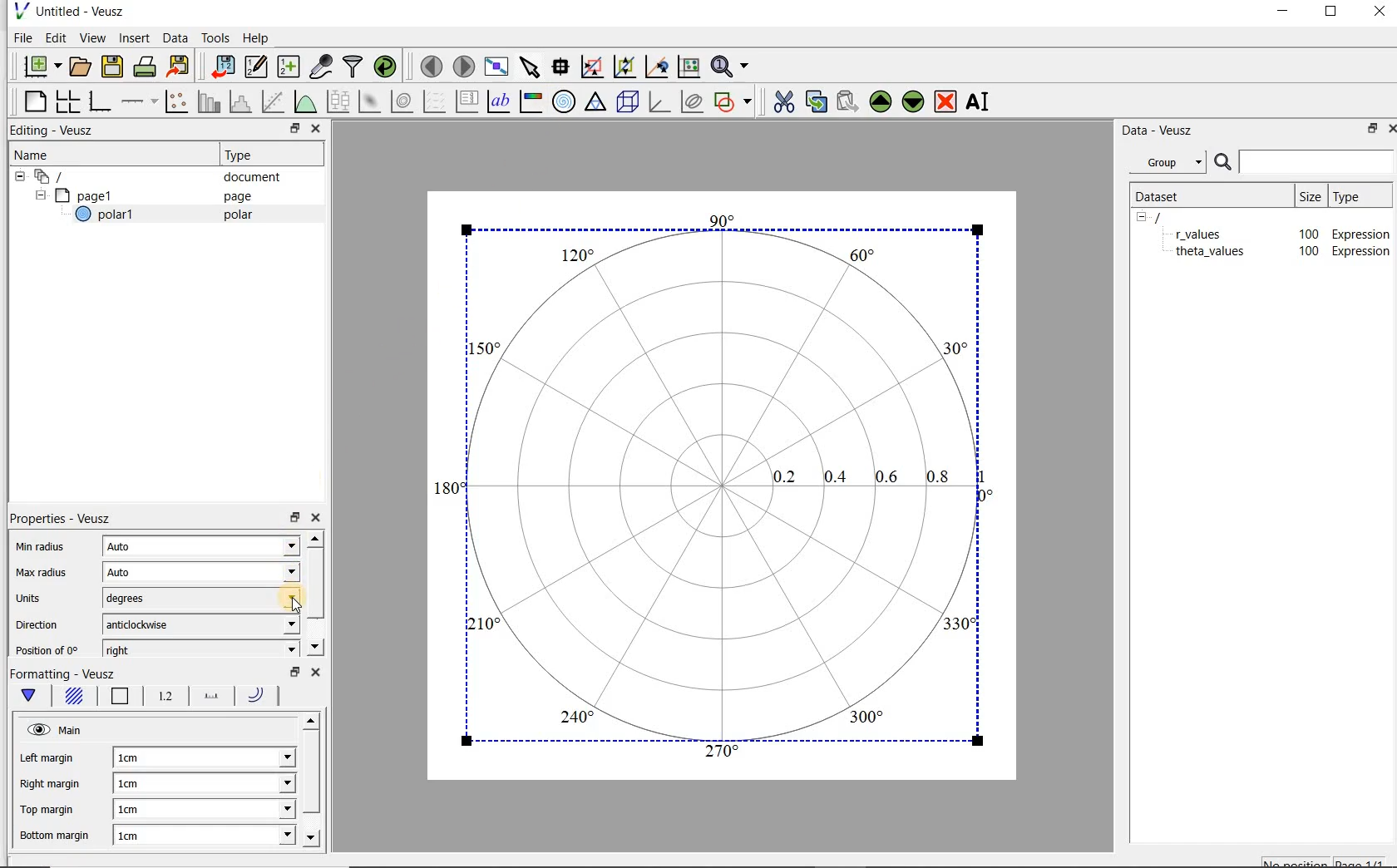 Image resolution: width=1397 pixels, height=868 pixels. Describe the element at coordinates (1297, 861) in the screenshot. I see `No position` at that location.